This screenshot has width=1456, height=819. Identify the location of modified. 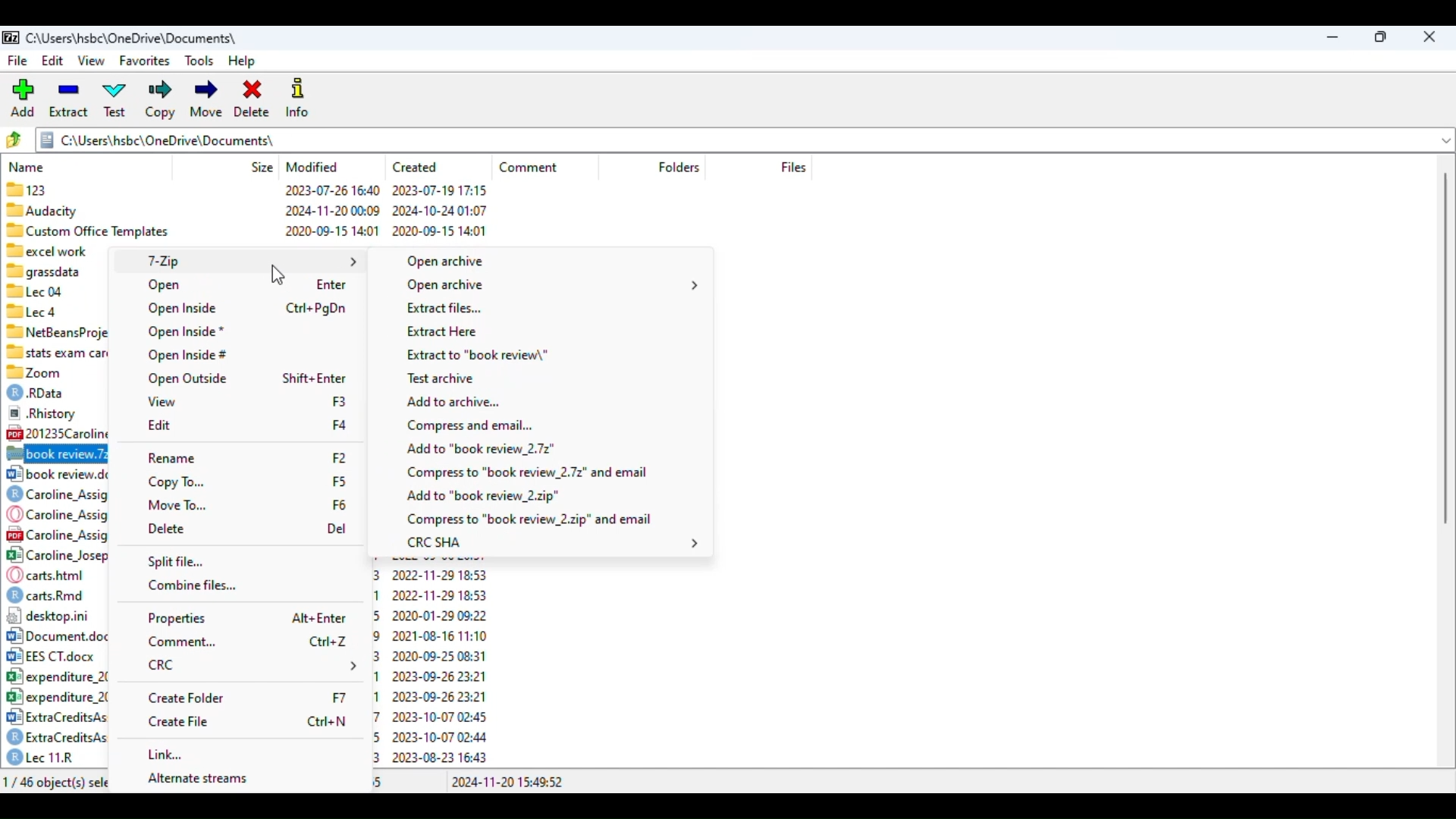
(312, 166).